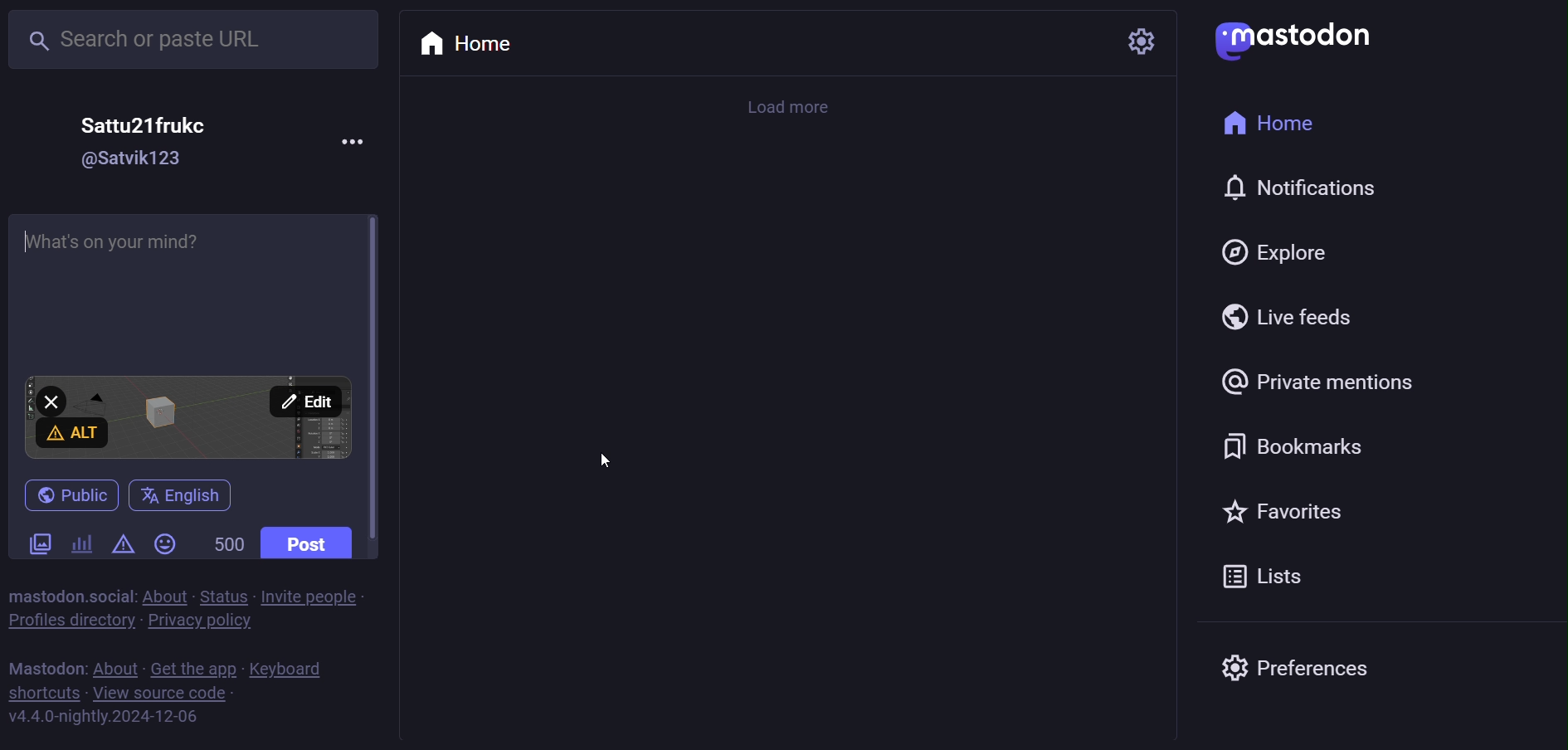 This screenshot has height=750, width=1568. Describe the element at coordinates (197, 626) in the screenshot. I see `privacy` at that location.